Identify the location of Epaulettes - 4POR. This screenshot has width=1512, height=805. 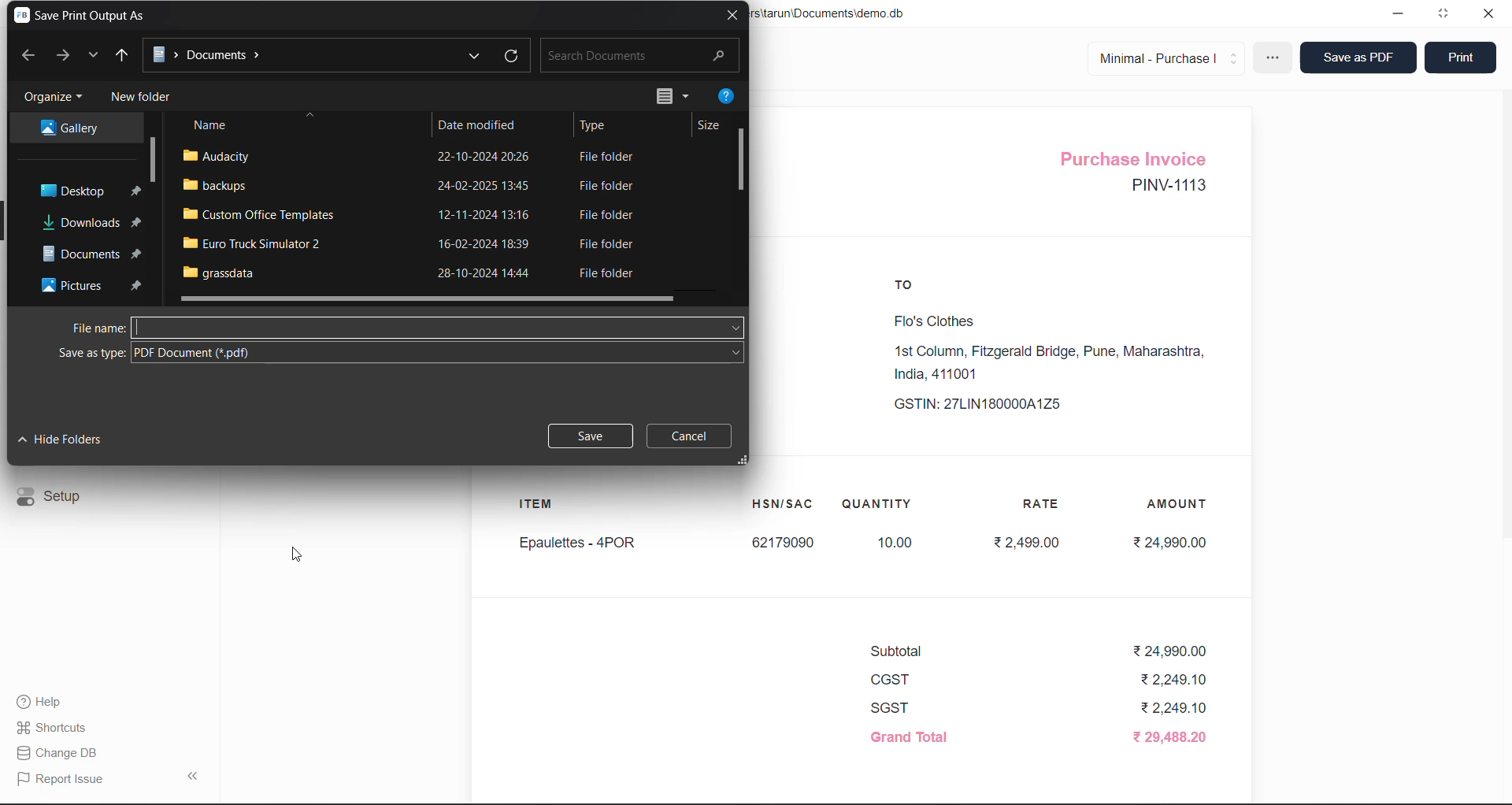
(577, 543).